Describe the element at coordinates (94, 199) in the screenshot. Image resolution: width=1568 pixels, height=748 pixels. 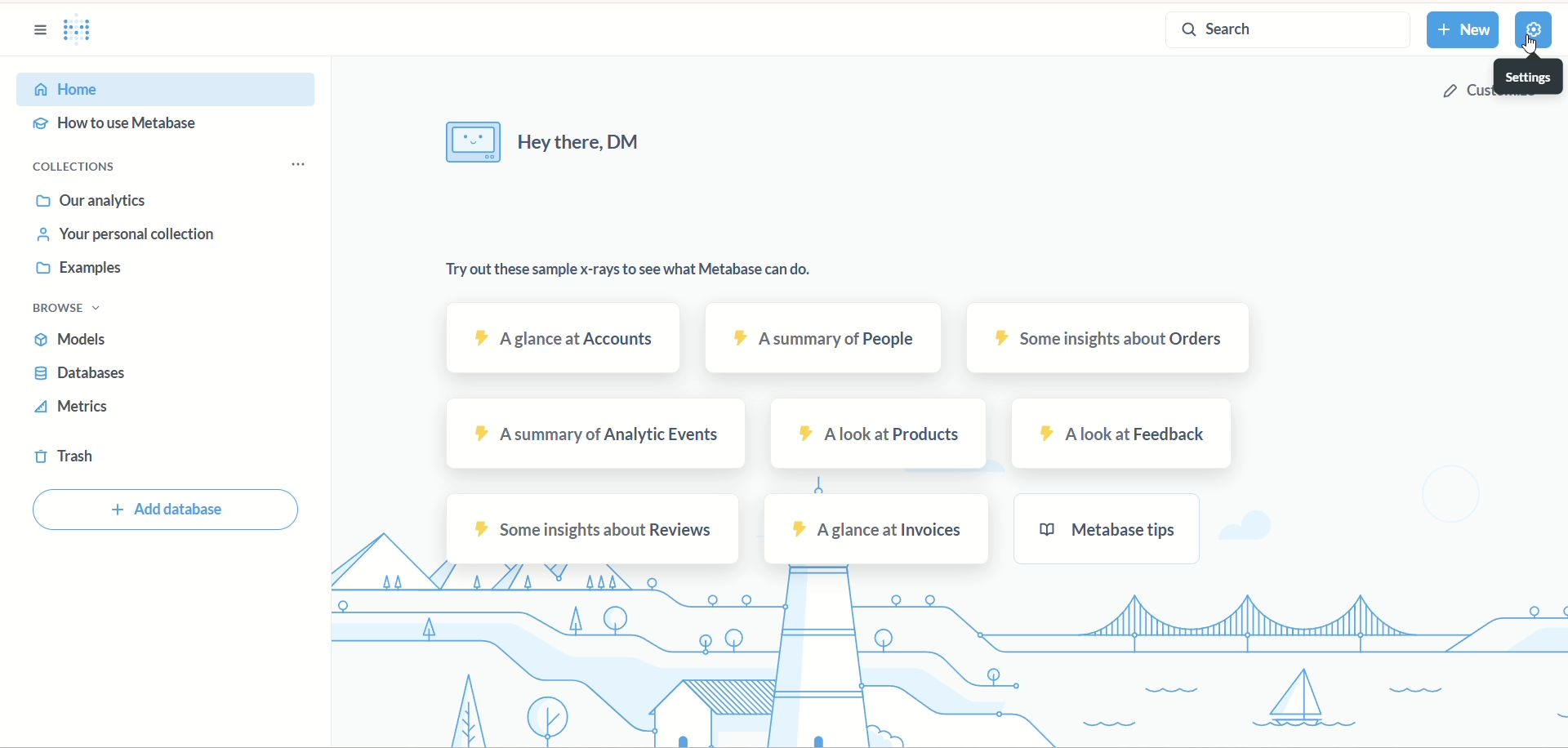
I see `our analytics` at that location.